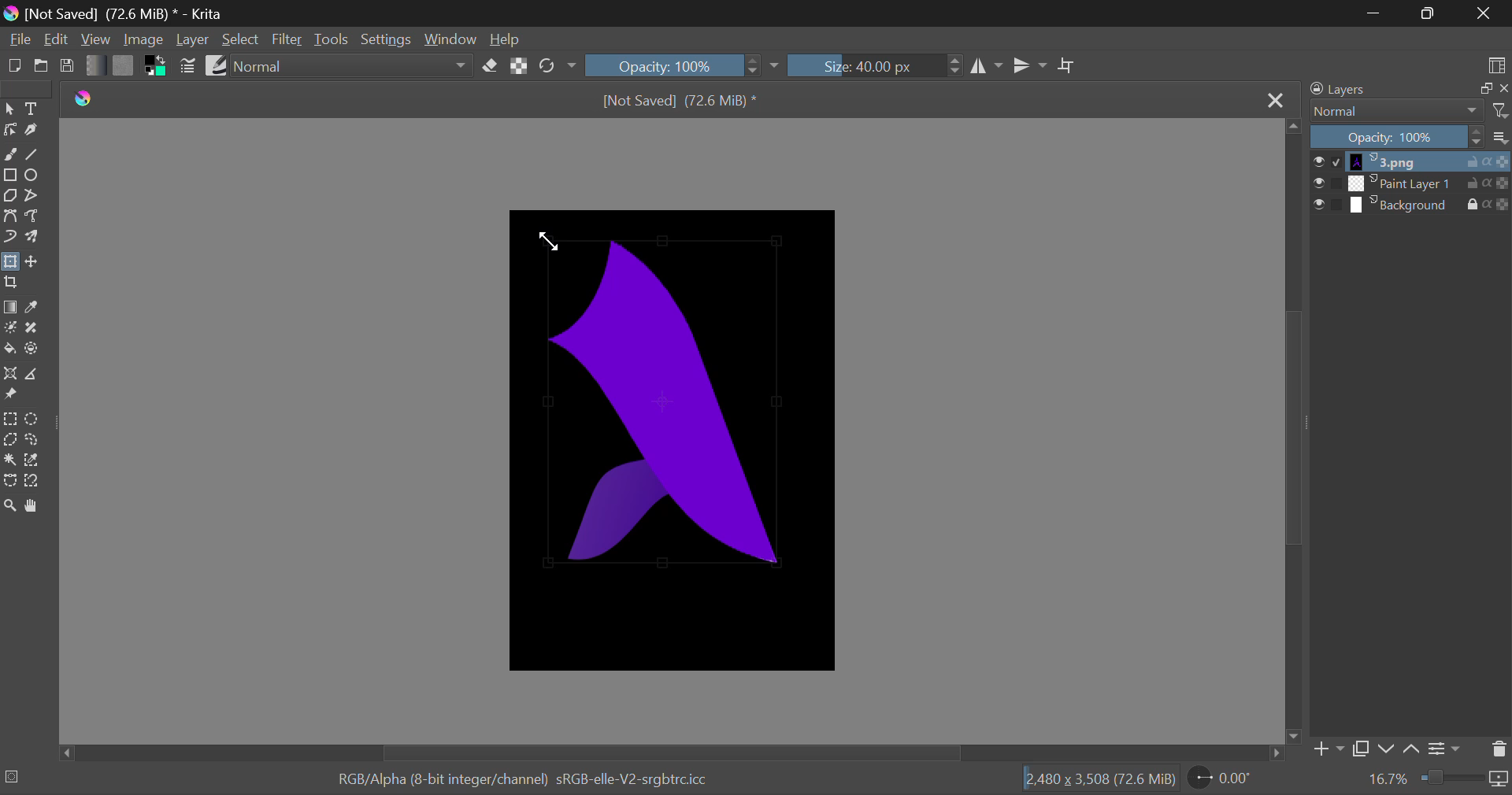 Image resolution: width=1512 pixels, height=795 pixels. Describe the element at coordinates (671, 752) in the screenshot. I see `Scroll Bar` at that location.